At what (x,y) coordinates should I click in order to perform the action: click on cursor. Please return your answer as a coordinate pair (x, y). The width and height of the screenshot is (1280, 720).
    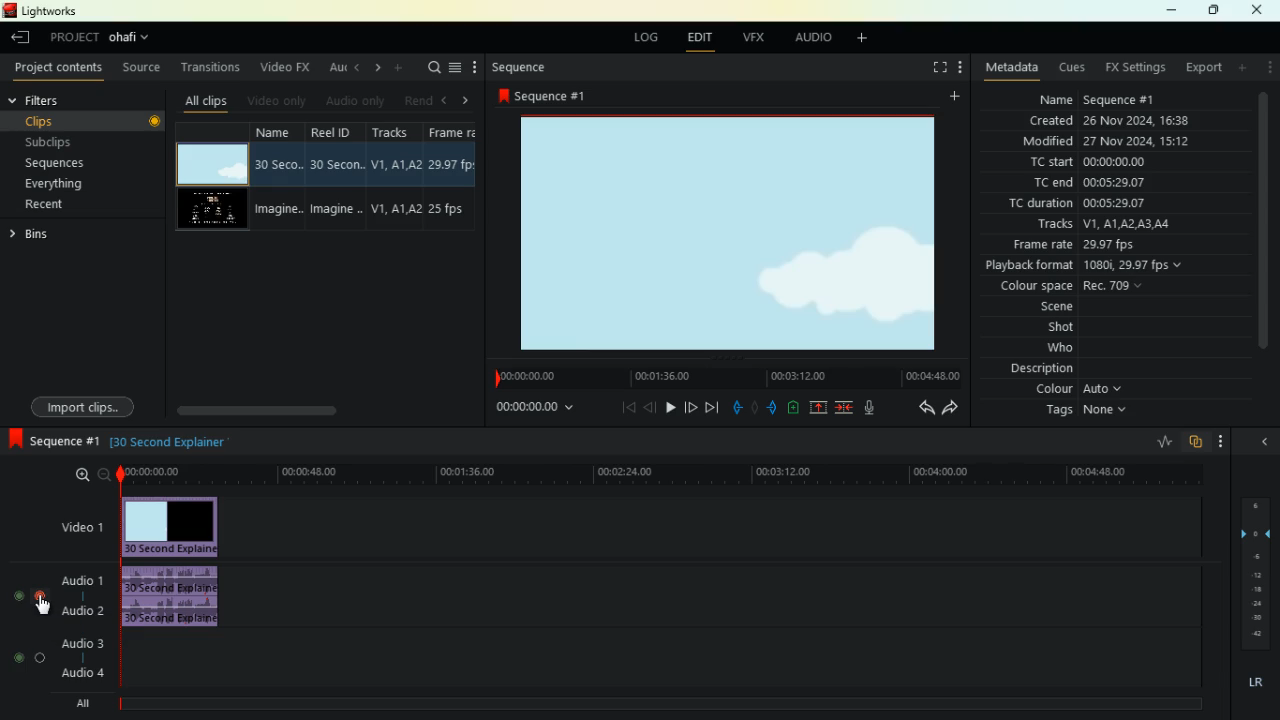
    Looking at the image, I should click on (44, 607).